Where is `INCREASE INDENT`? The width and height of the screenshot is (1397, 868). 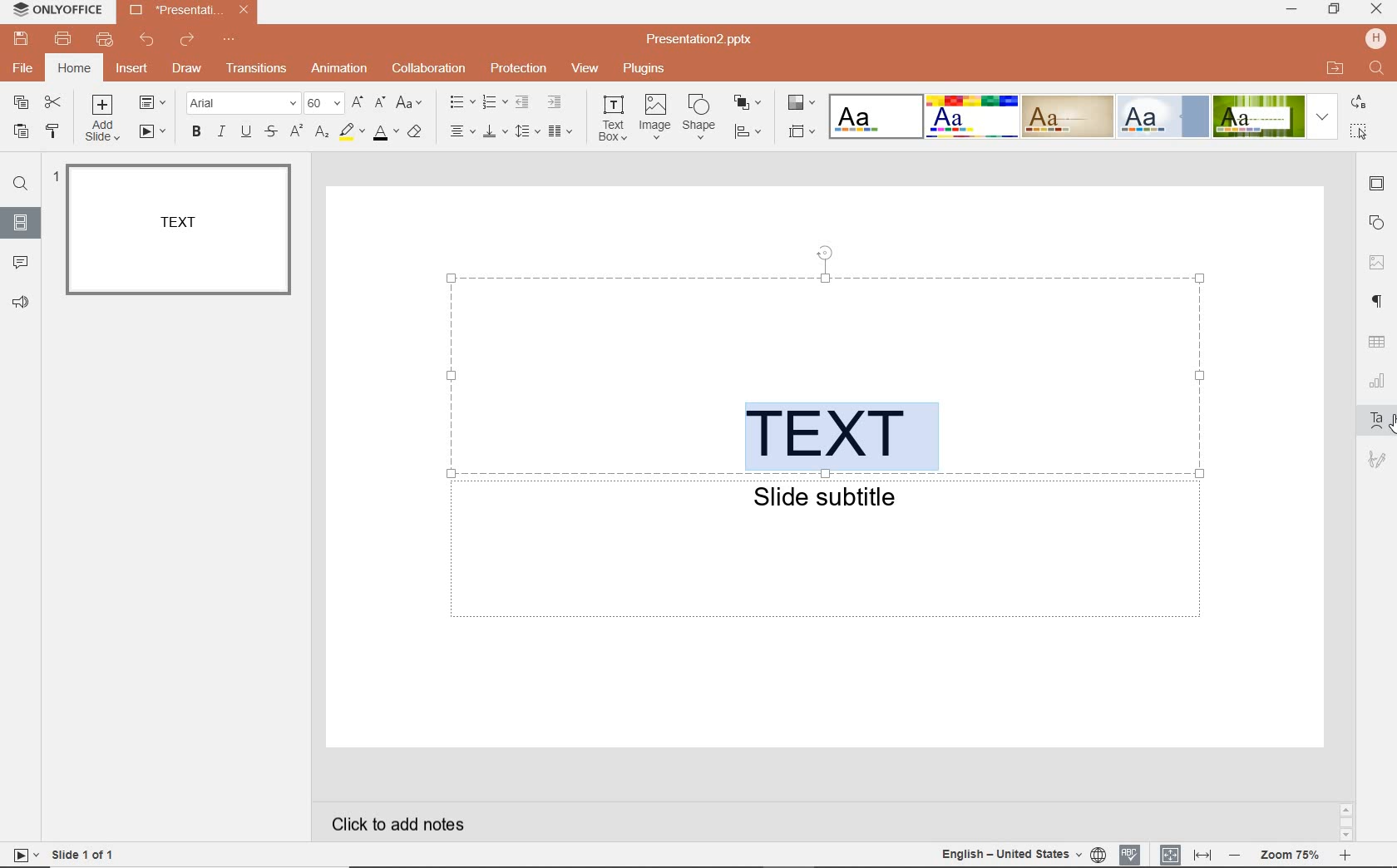 INCREASE INDENT is located at coordinates (555, 101).